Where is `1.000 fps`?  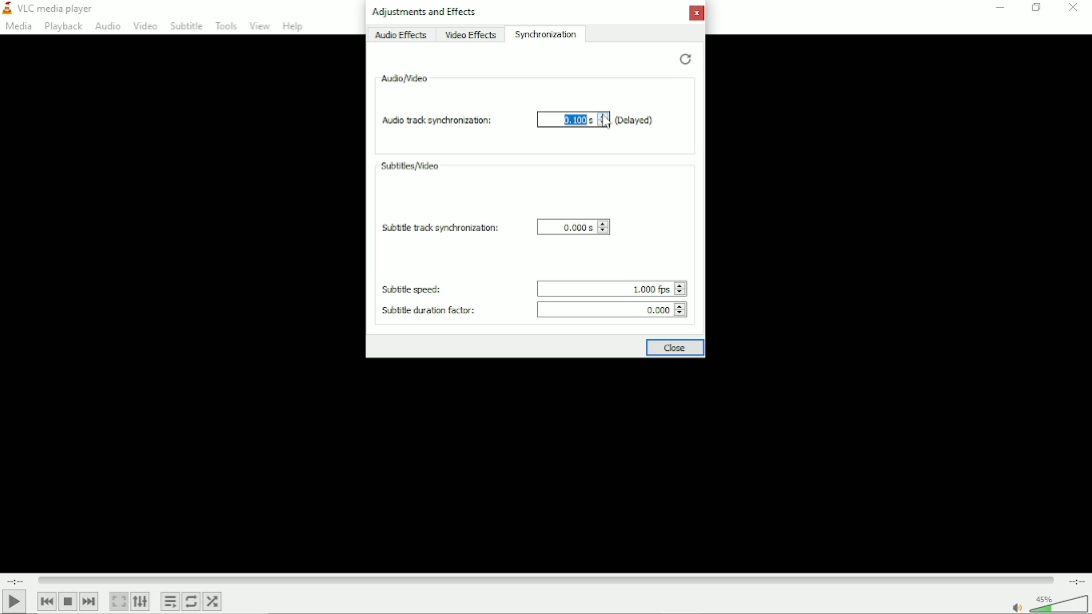 1.000 fps is located at coordinates (612, 289).